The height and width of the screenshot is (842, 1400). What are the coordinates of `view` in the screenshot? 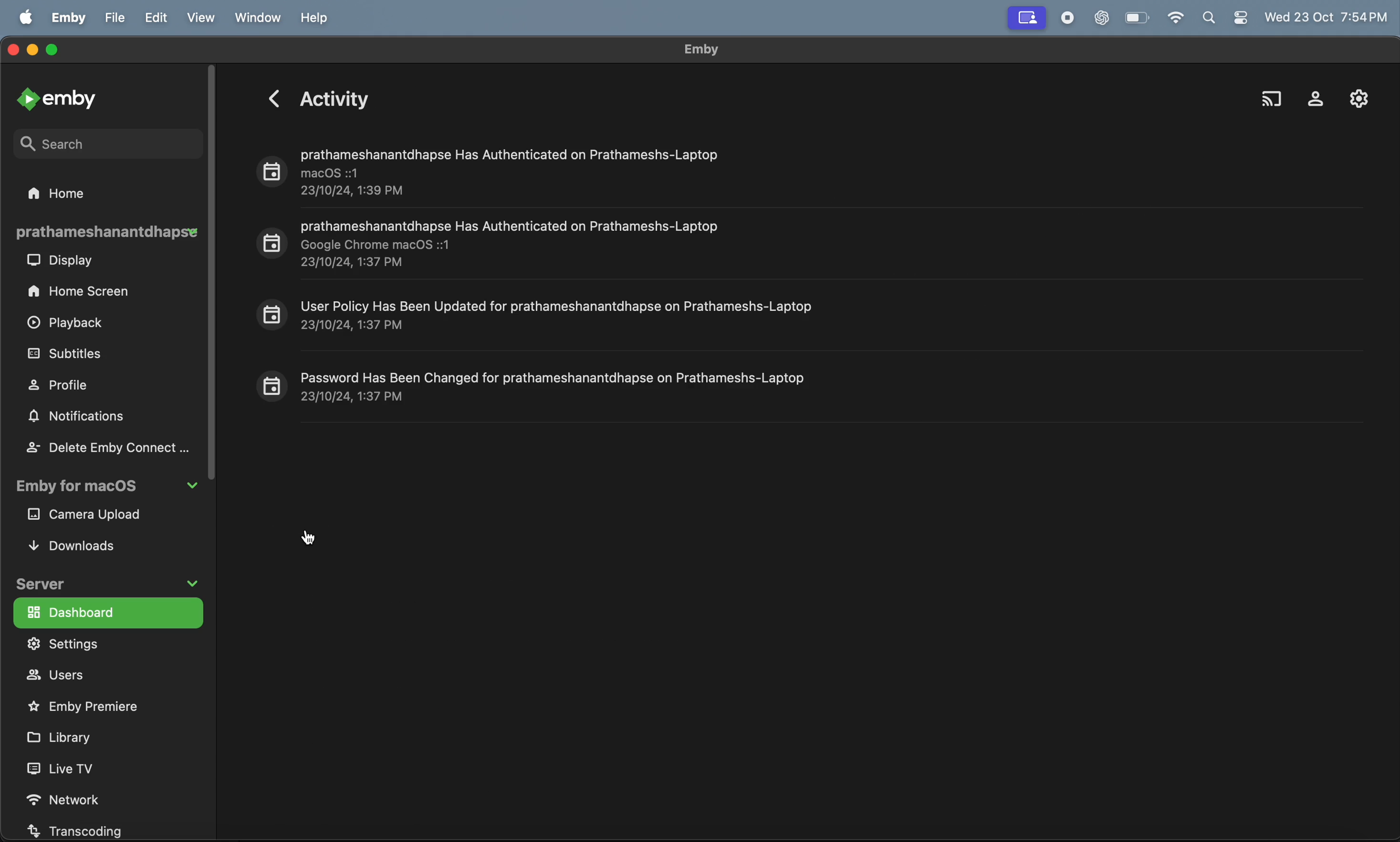 It's located at (205, 17).